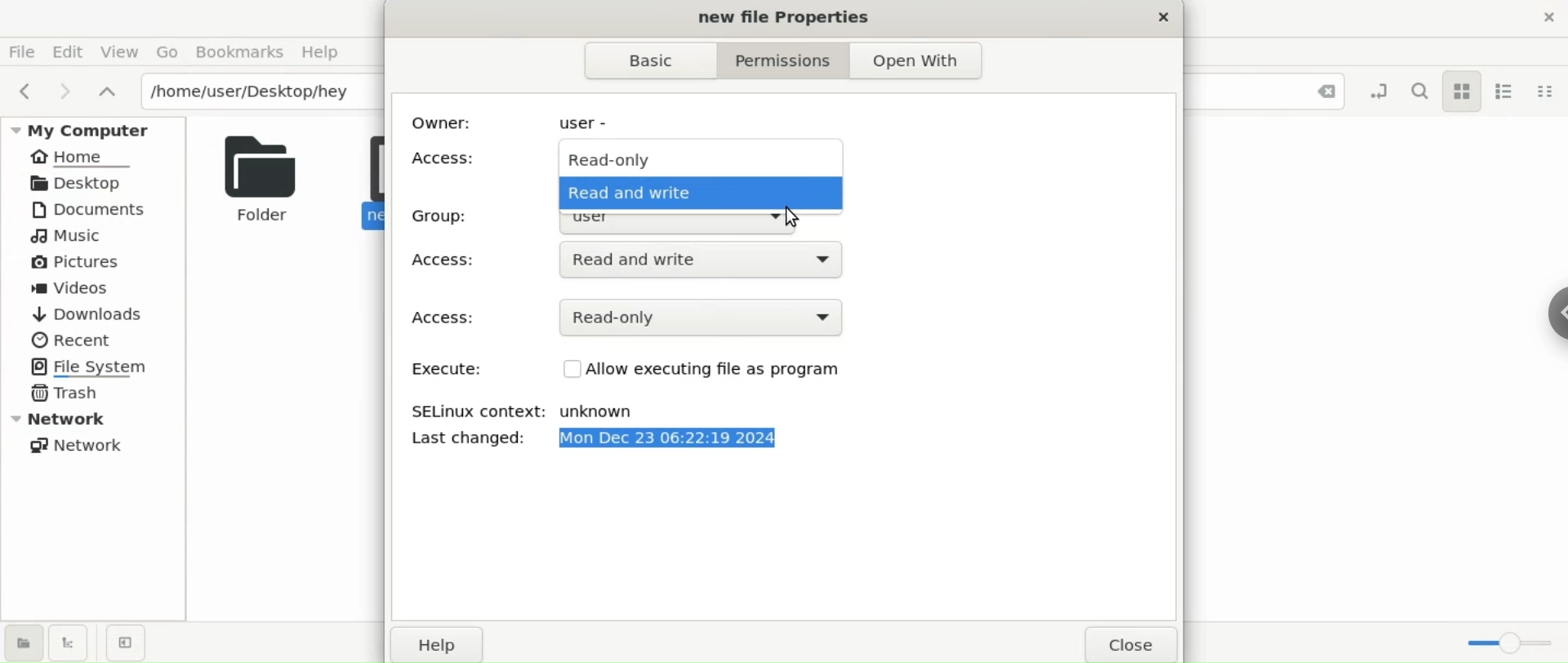 The image size is (1568, 663). Describe the element at coordinates (646, 157) in the screenshot. I see `Read-only` at that location.